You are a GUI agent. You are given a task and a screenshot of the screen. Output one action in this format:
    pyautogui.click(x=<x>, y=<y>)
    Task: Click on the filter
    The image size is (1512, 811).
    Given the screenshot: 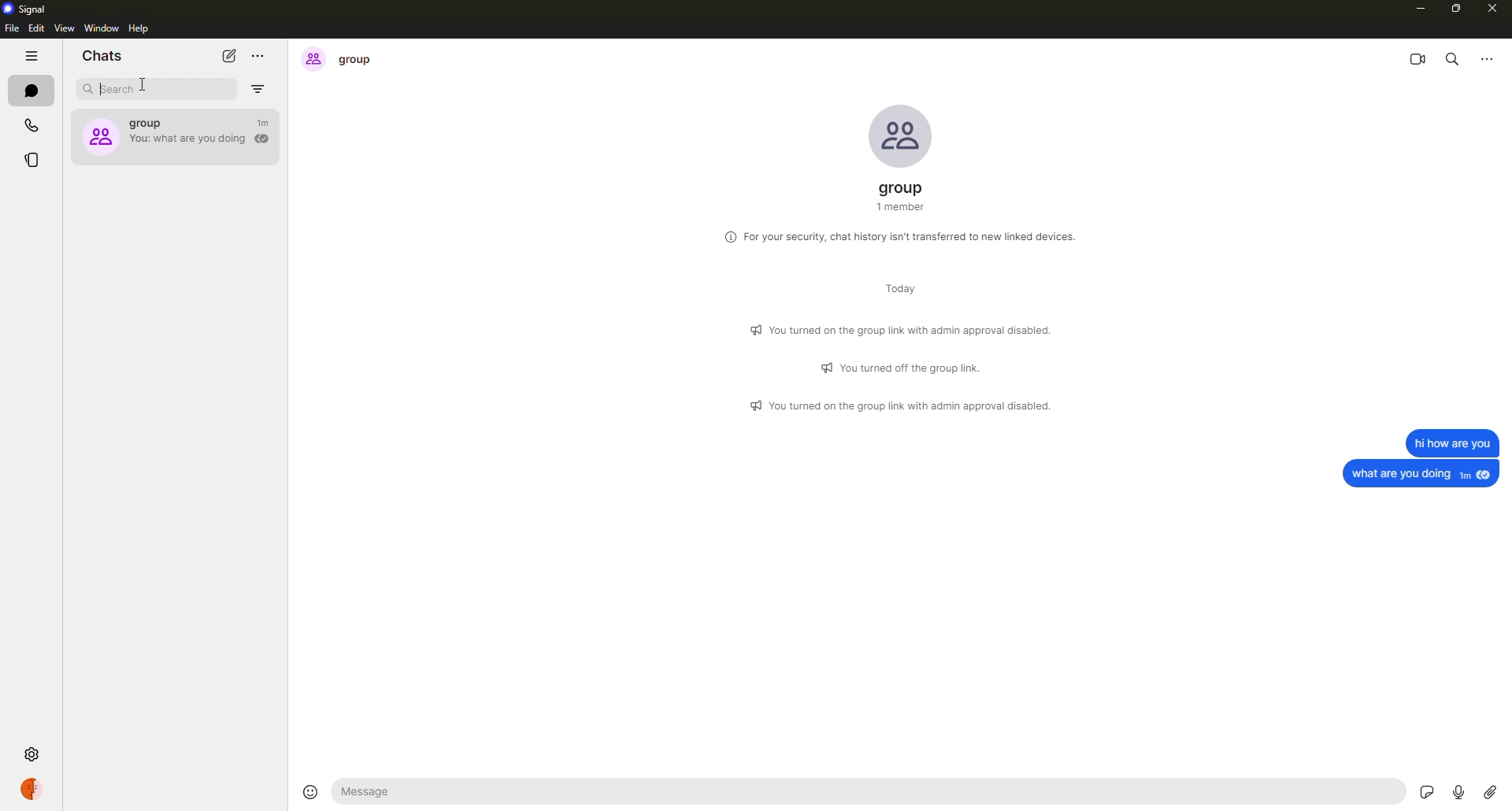 What is the action you would take?
    pyautogui.click(x=261, y=89)
    